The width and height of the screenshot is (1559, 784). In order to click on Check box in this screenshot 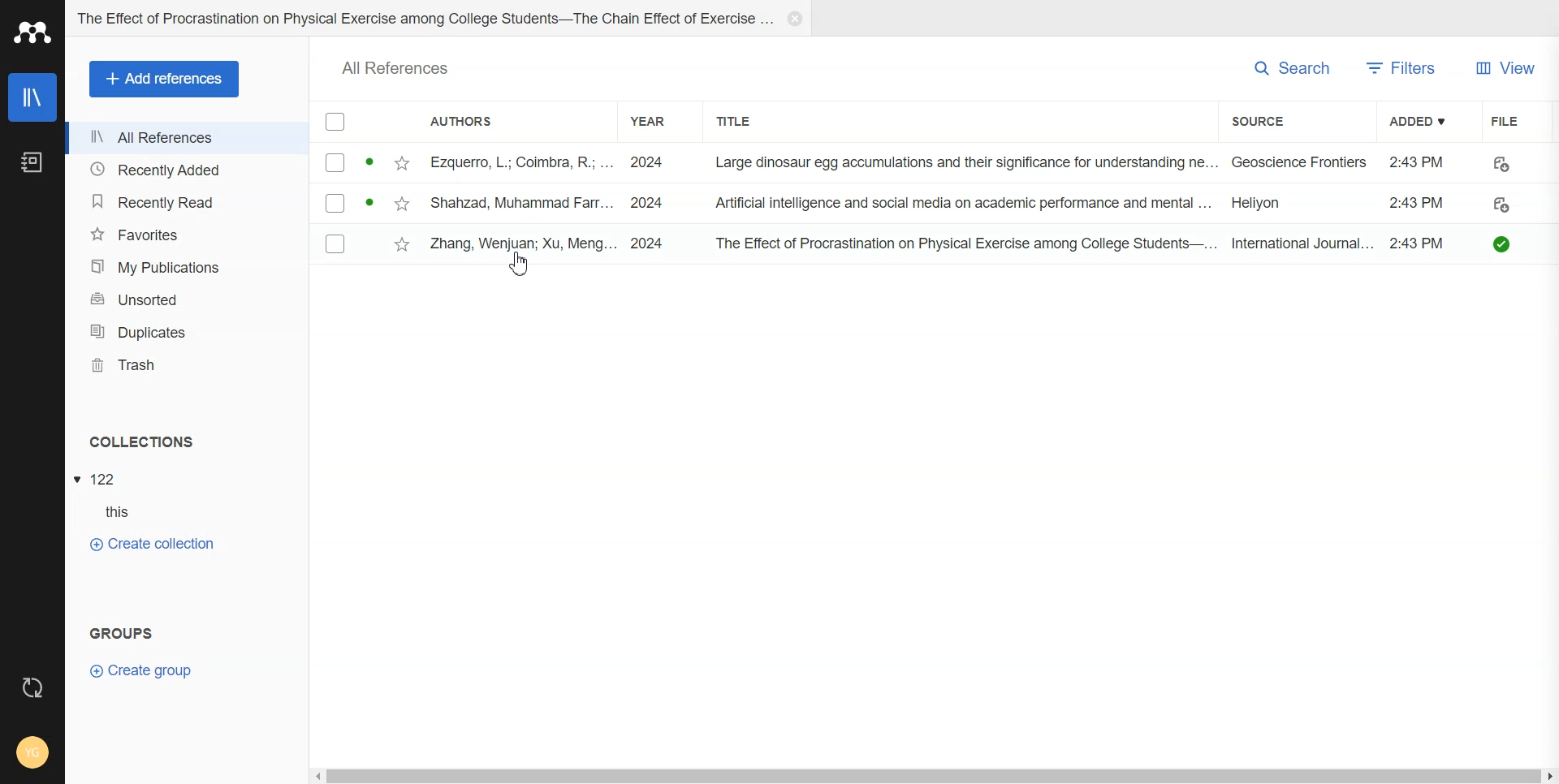, I will do `click(333, 163)`.